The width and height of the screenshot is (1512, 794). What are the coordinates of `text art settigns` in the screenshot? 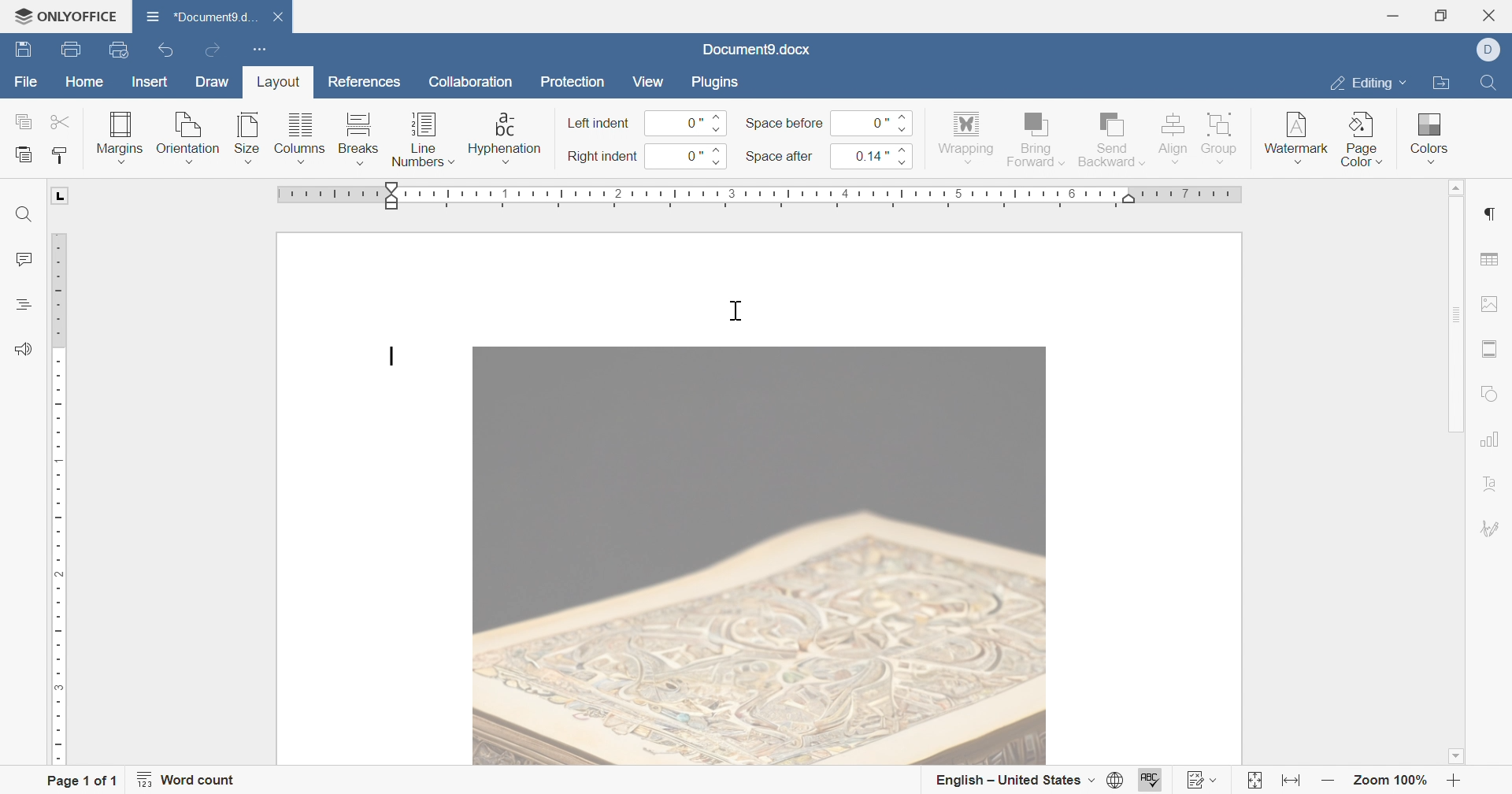 It's located at (1491, 484).